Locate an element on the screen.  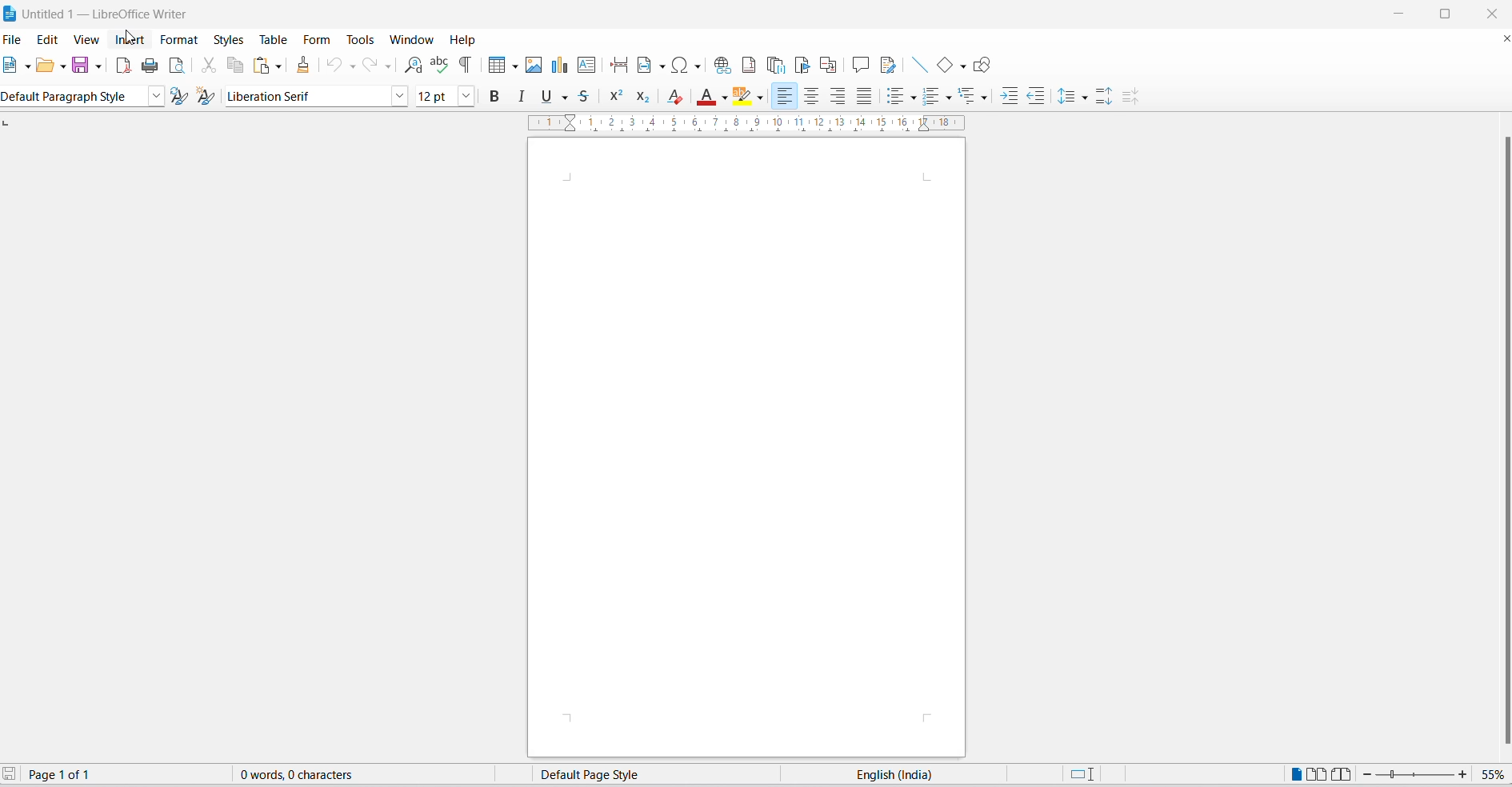
insert endnote is located at coordinates (776, 66).